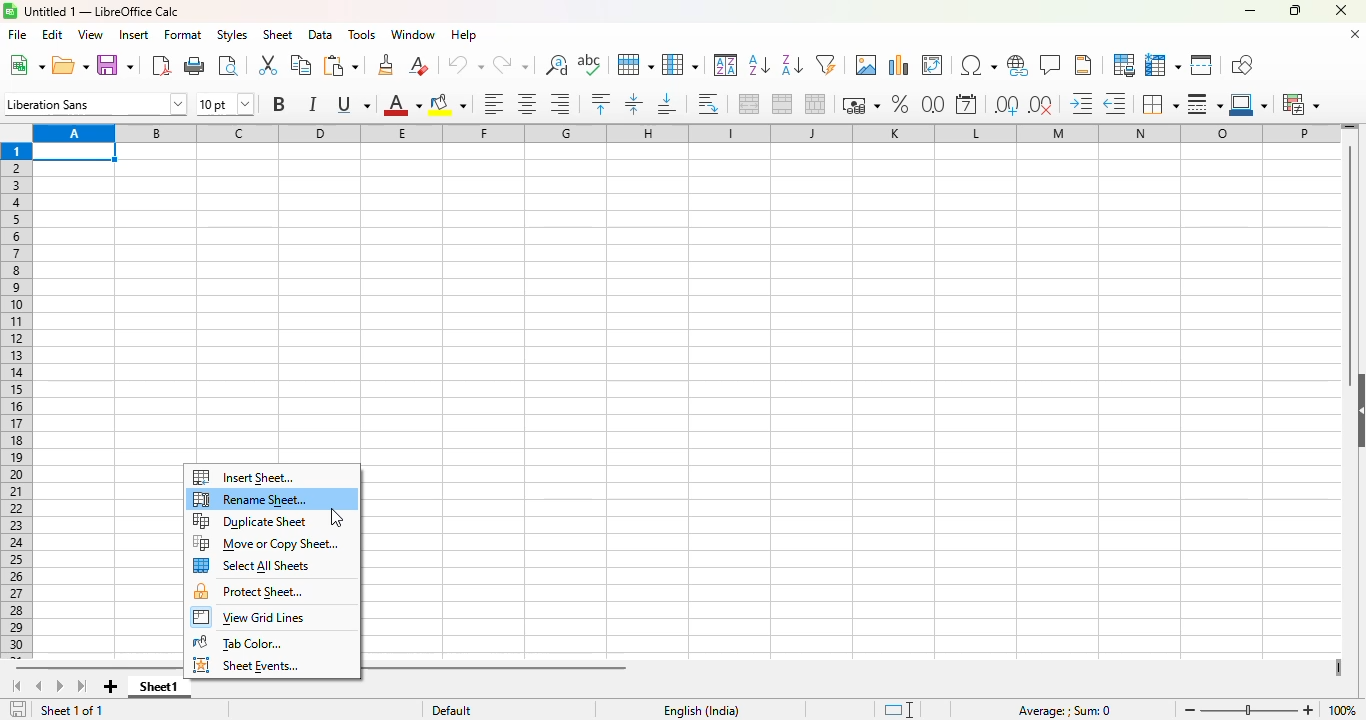  Describe the element at coordinates (272, 499) in the screenshot. I see `rename sheet` at that location.